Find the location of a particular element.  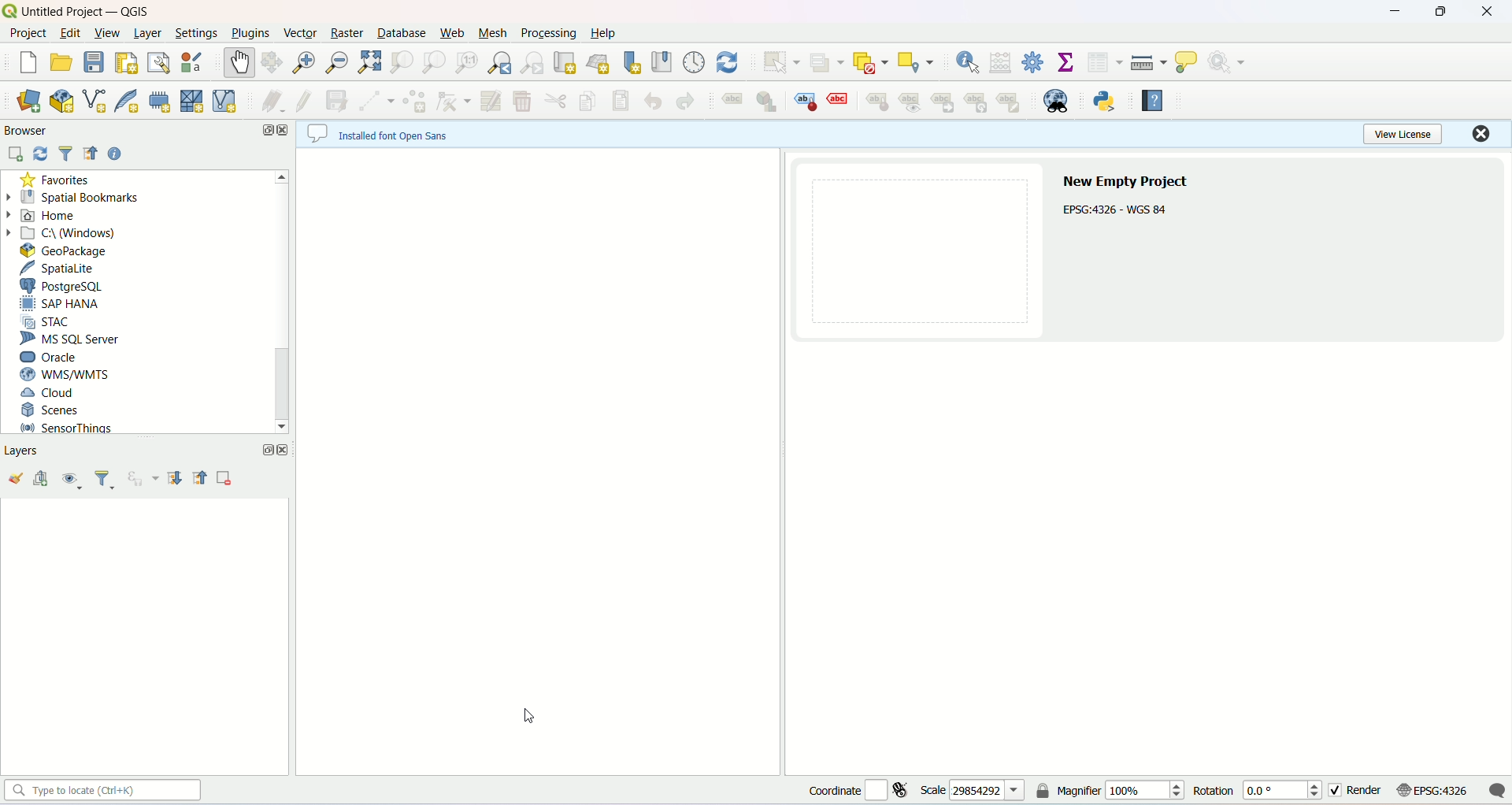

zoom in is located at coordinates (302, 61).